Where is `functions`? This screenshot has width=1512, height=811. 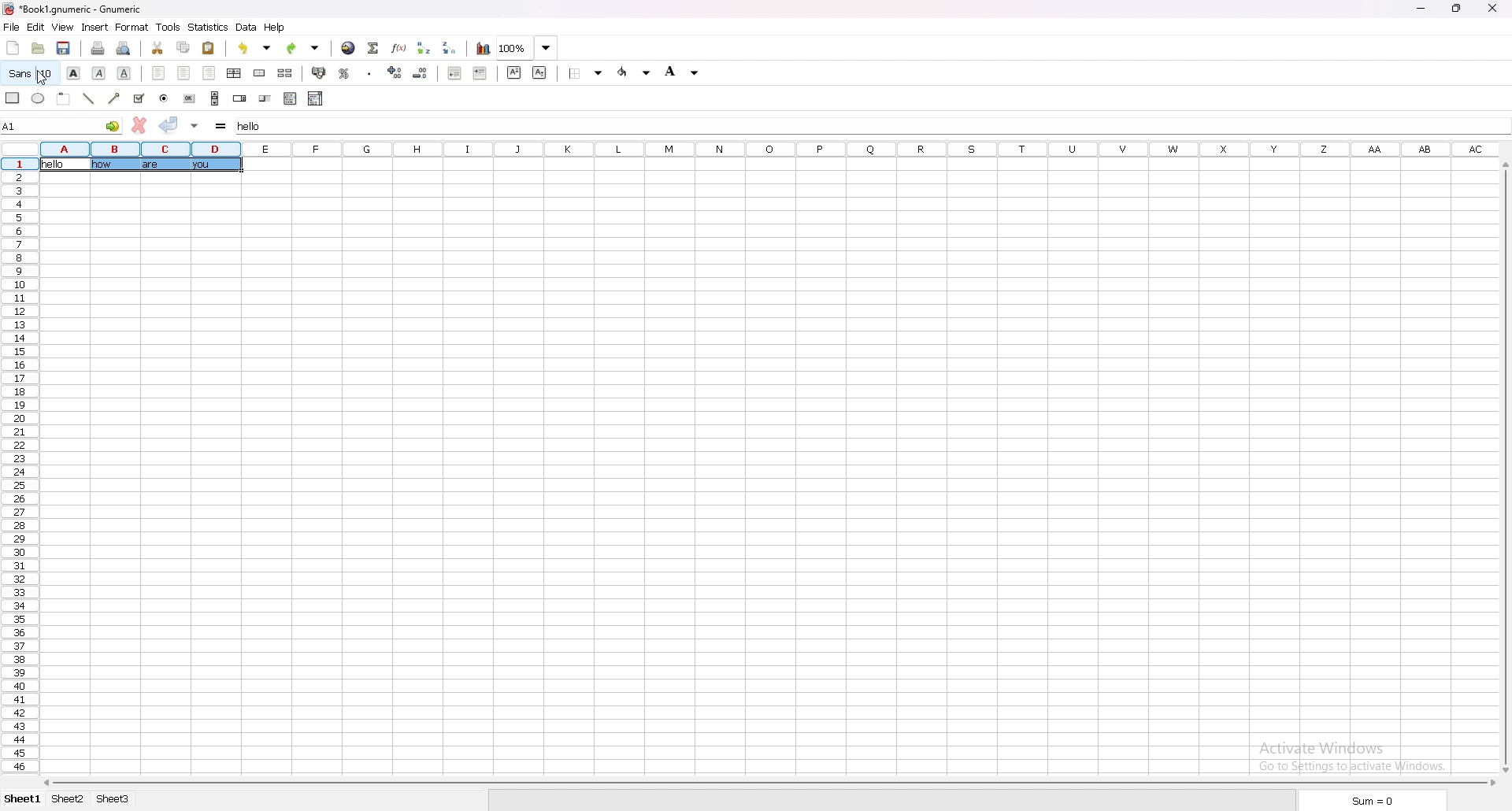 functions is located at coordinates (399, 47).